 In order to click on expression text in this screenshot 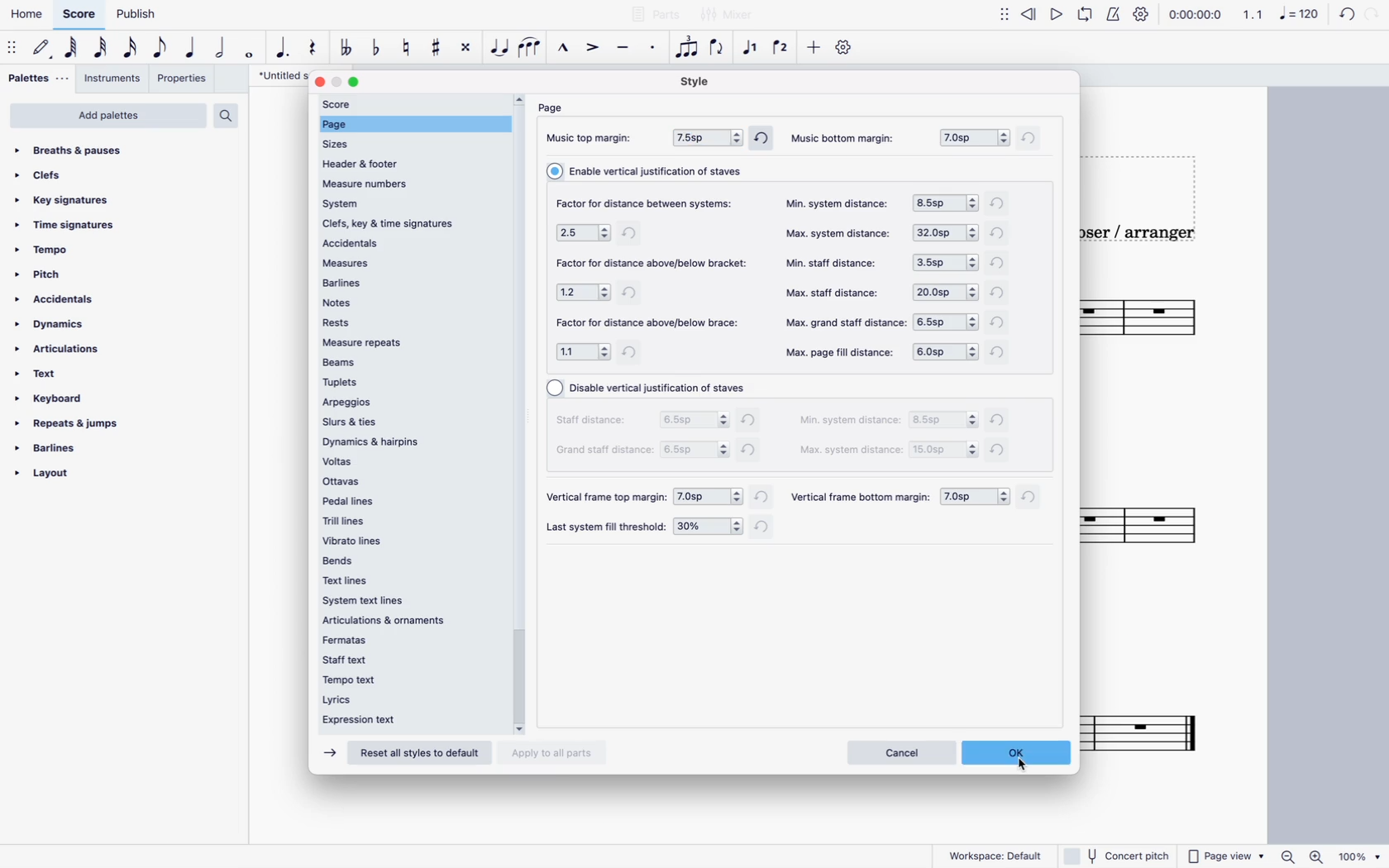, I will do `click(395, 719)`.